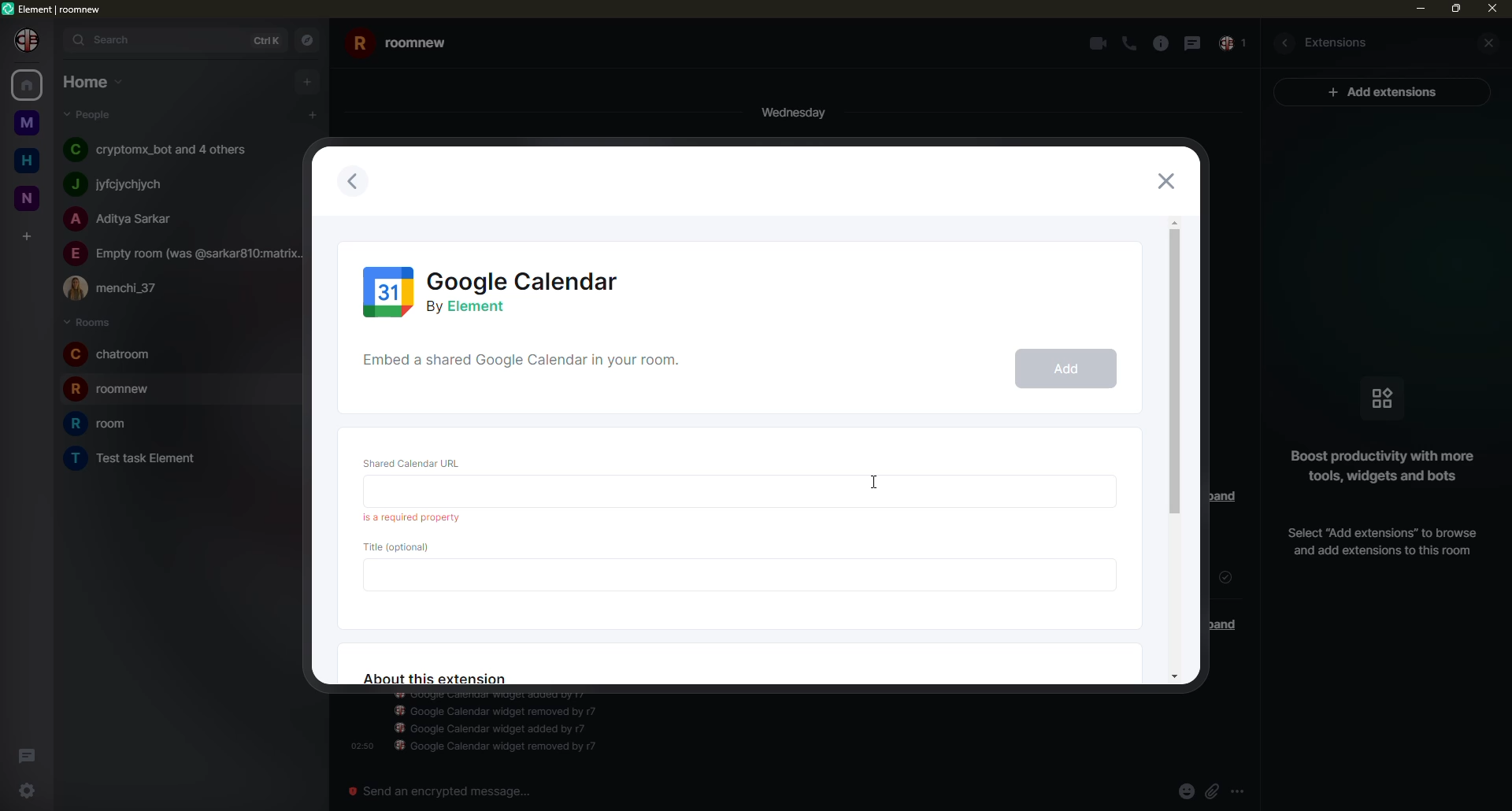 Image resolution: width=1512 pixels, height=811 pixels. Describe the element at coordinates (787, 111) in the screenshot. I see `day` at that location.